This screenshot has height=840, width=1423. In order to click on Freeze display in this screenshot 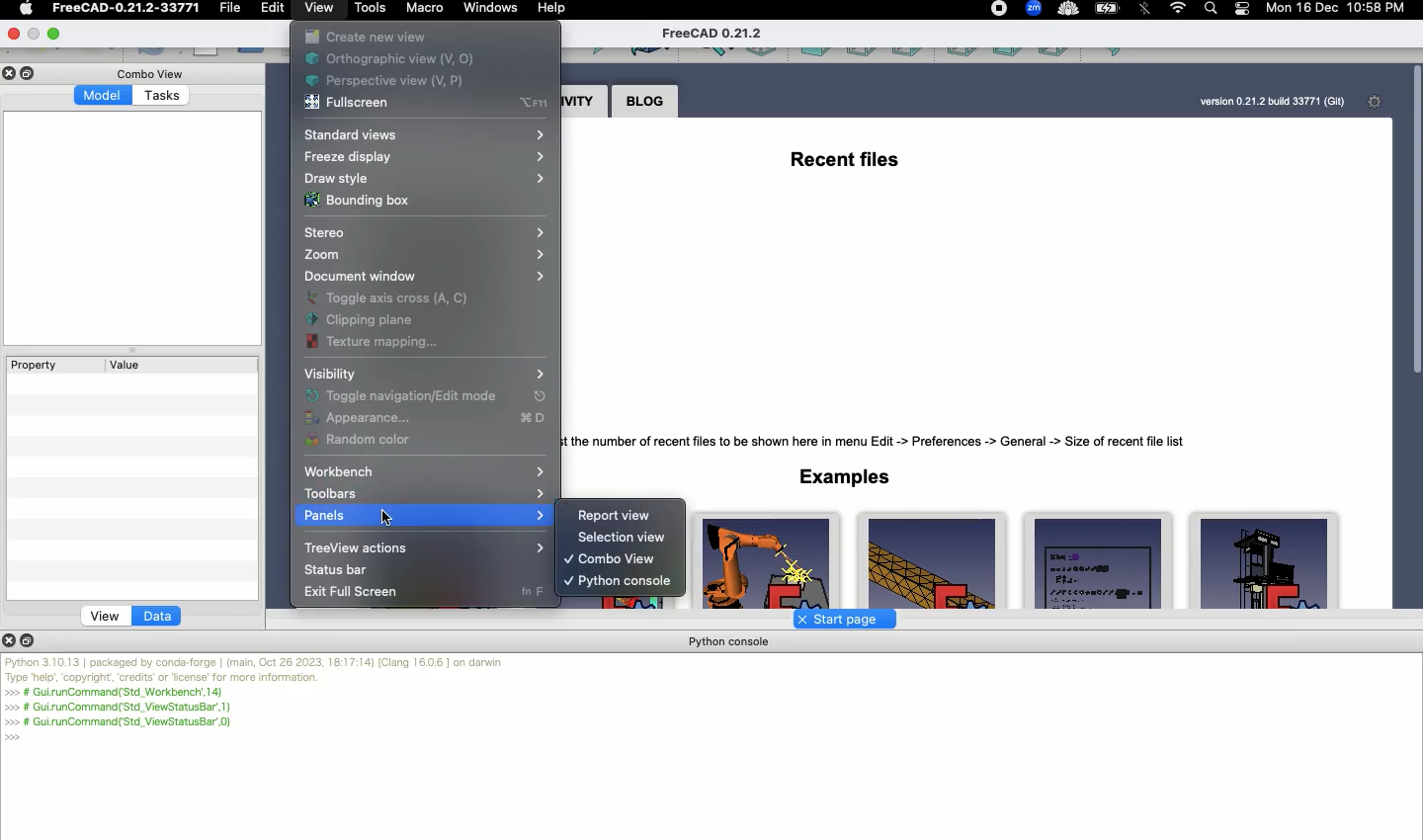, I will do `click(421, 160)`.